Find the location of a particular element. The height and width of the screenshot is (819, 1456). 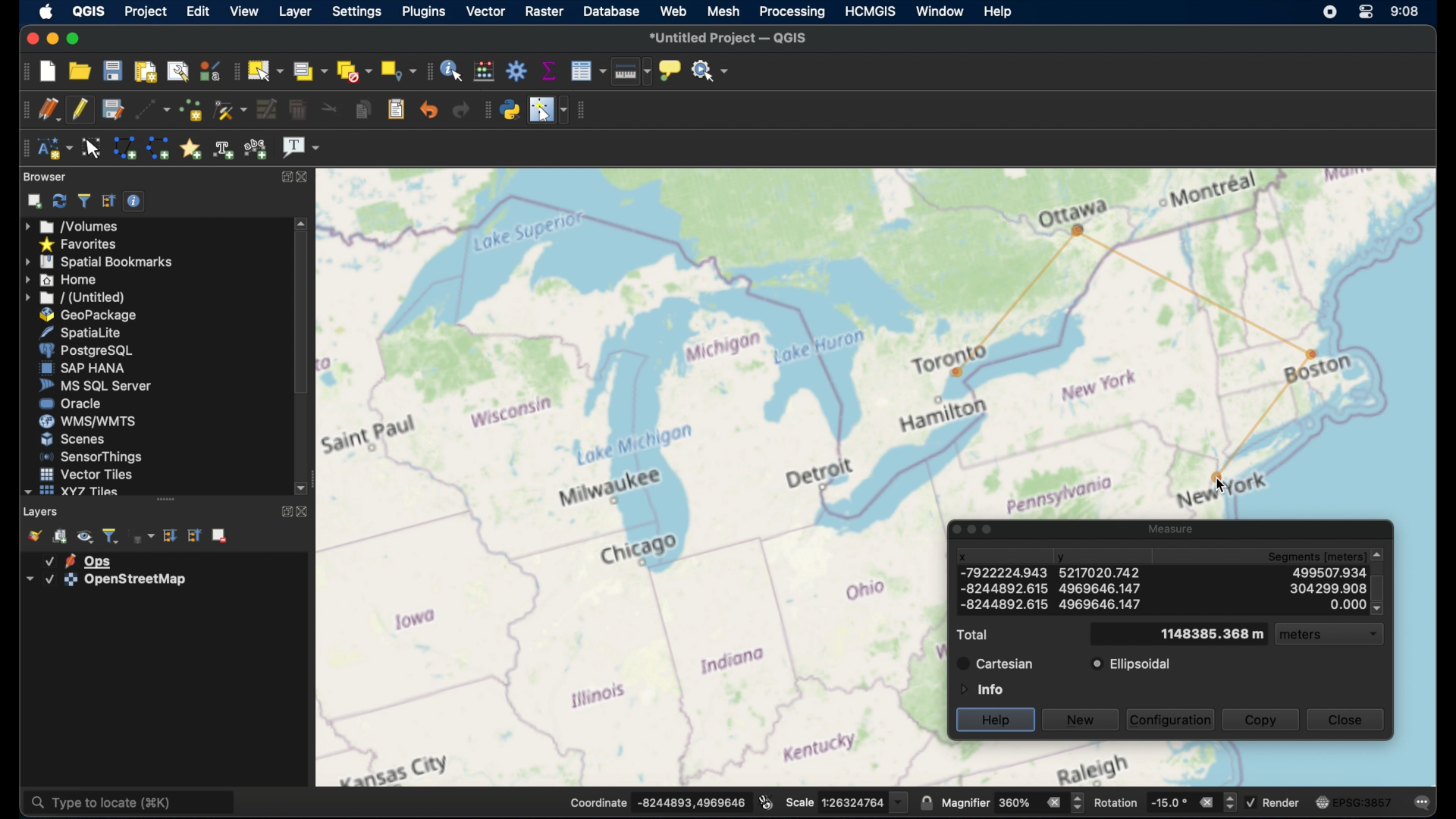

text annotation is located at coordinates (301, 149).